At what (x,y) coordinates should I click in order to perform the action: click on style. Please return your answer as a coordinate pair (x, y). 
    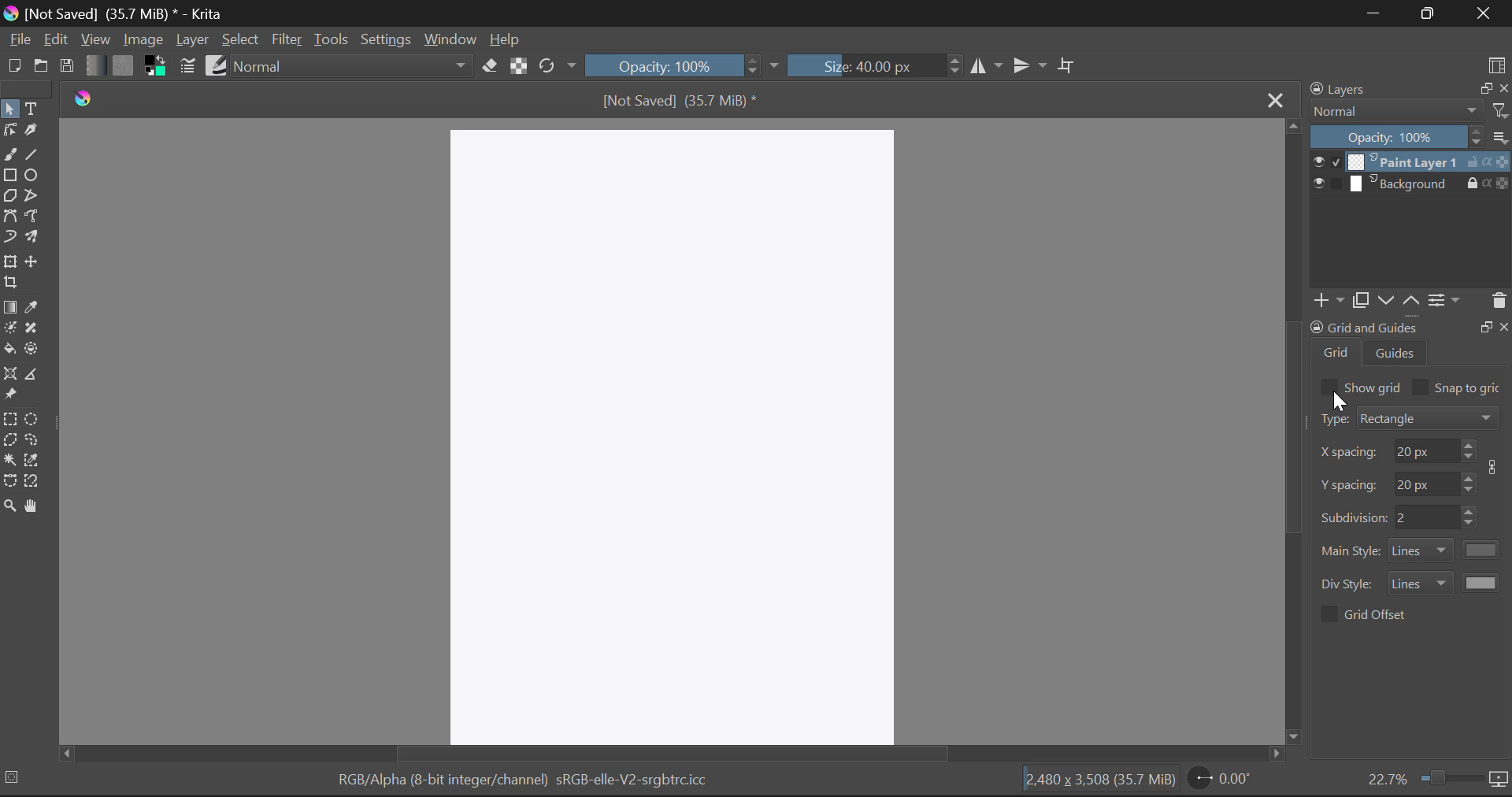
    Looking at the image, I should click on (1421, 582).